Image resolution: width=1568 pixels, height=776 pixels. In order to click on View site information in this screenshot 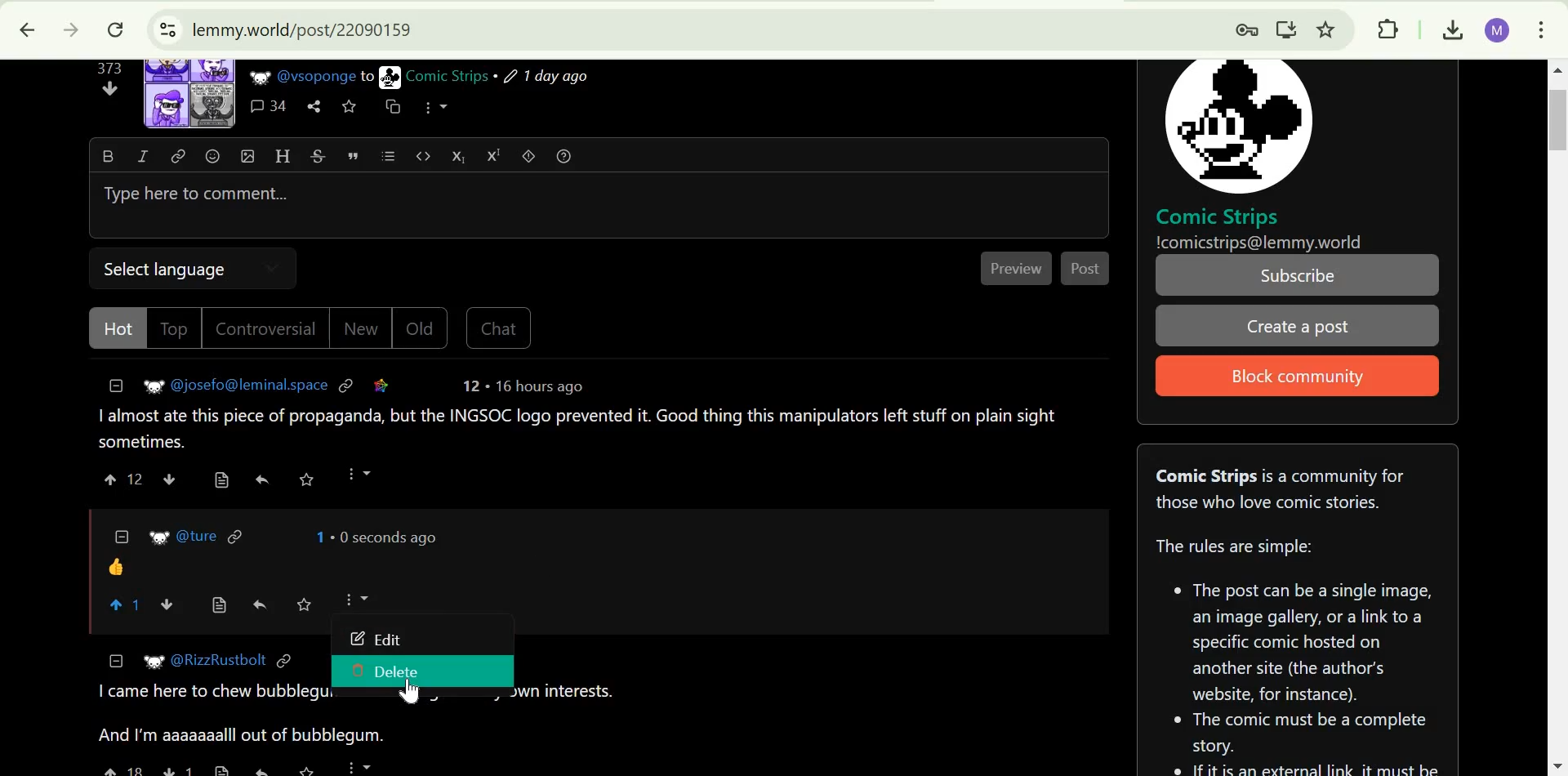, I will do `click(165, 30)`.